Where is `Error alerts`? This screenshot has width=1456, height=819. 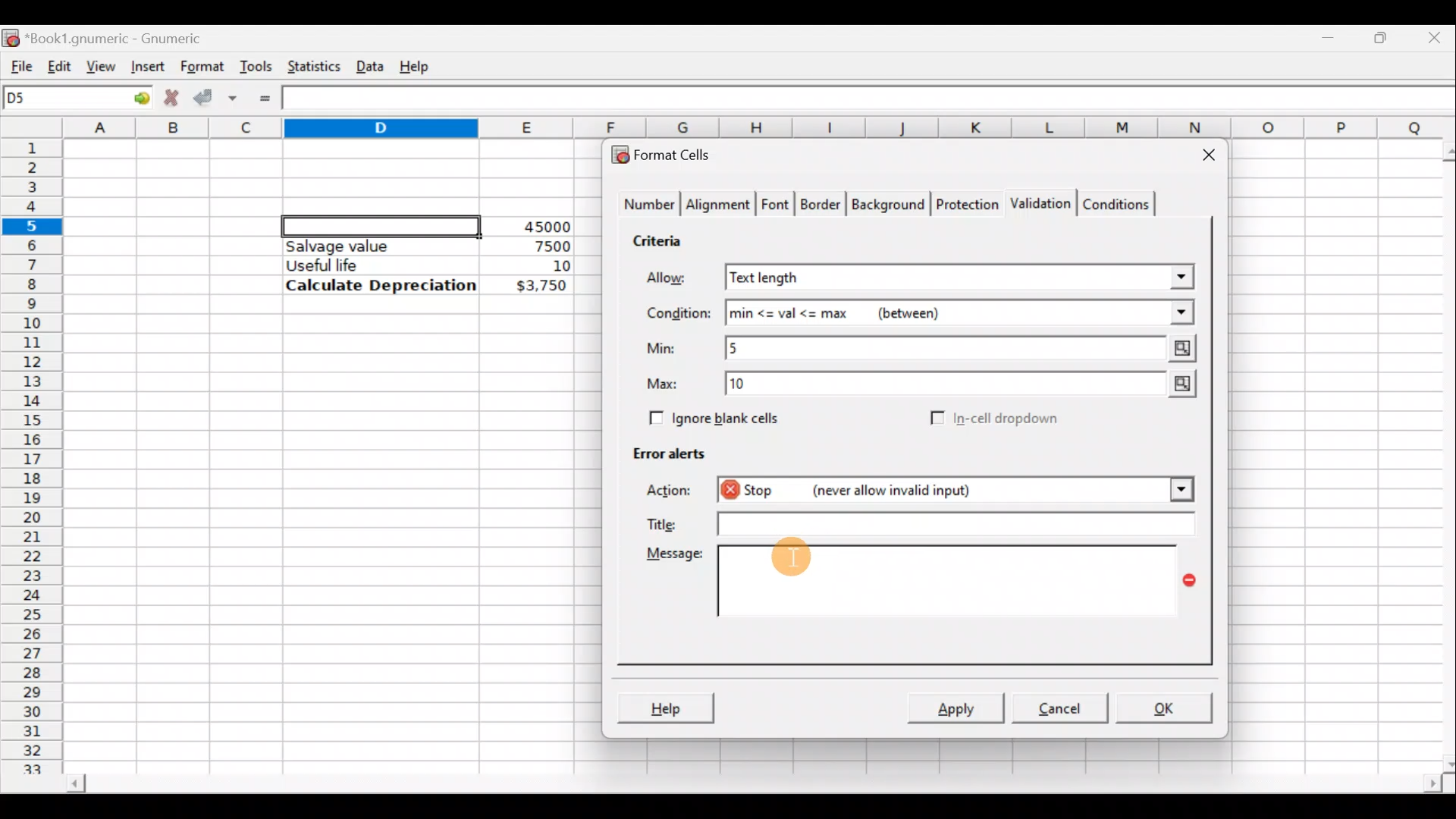 Error alerts is located at coordinates (661, 450).